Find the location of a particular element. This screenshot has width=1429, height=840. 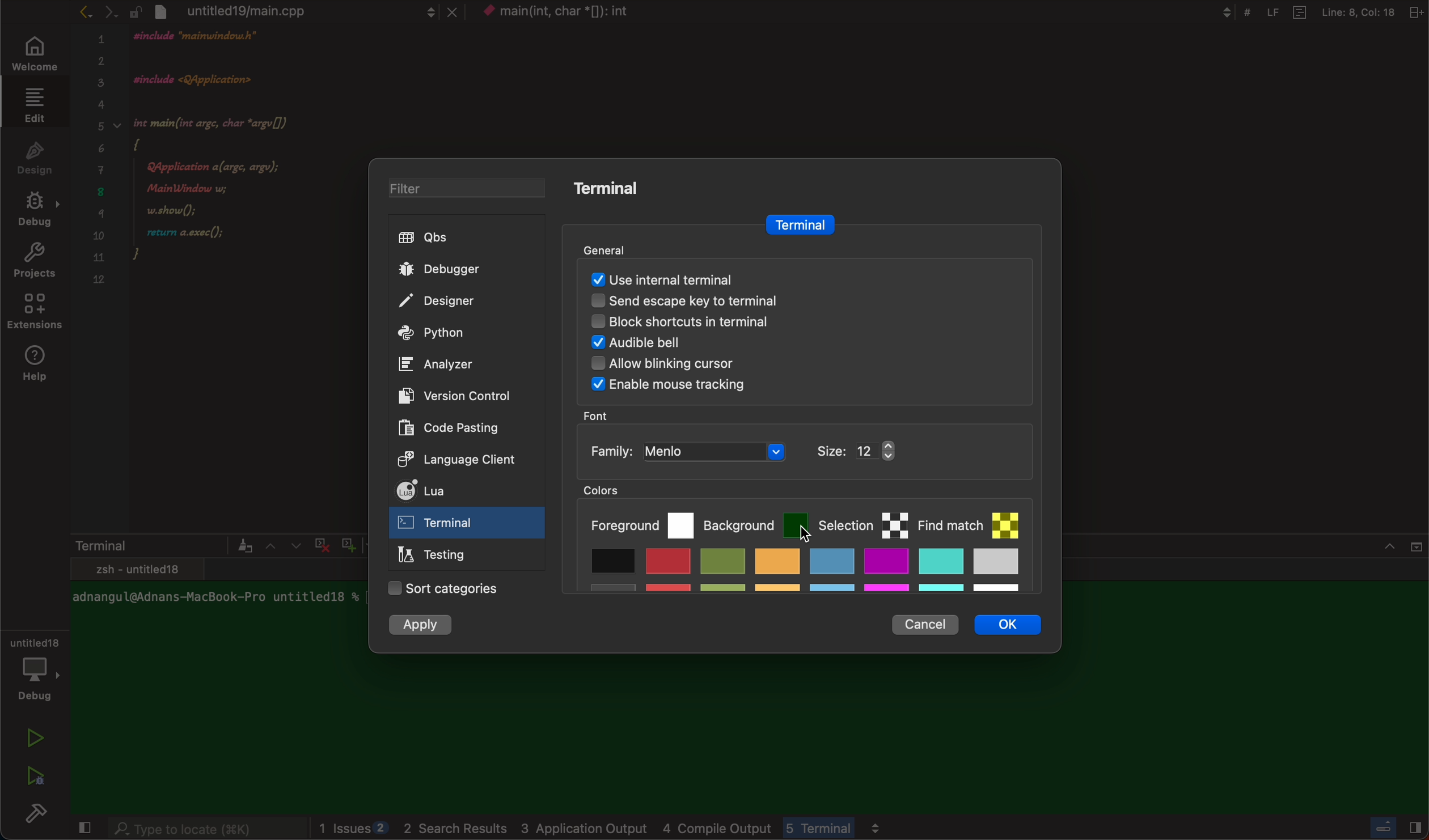

terminal is located at coordinates (616, 188).